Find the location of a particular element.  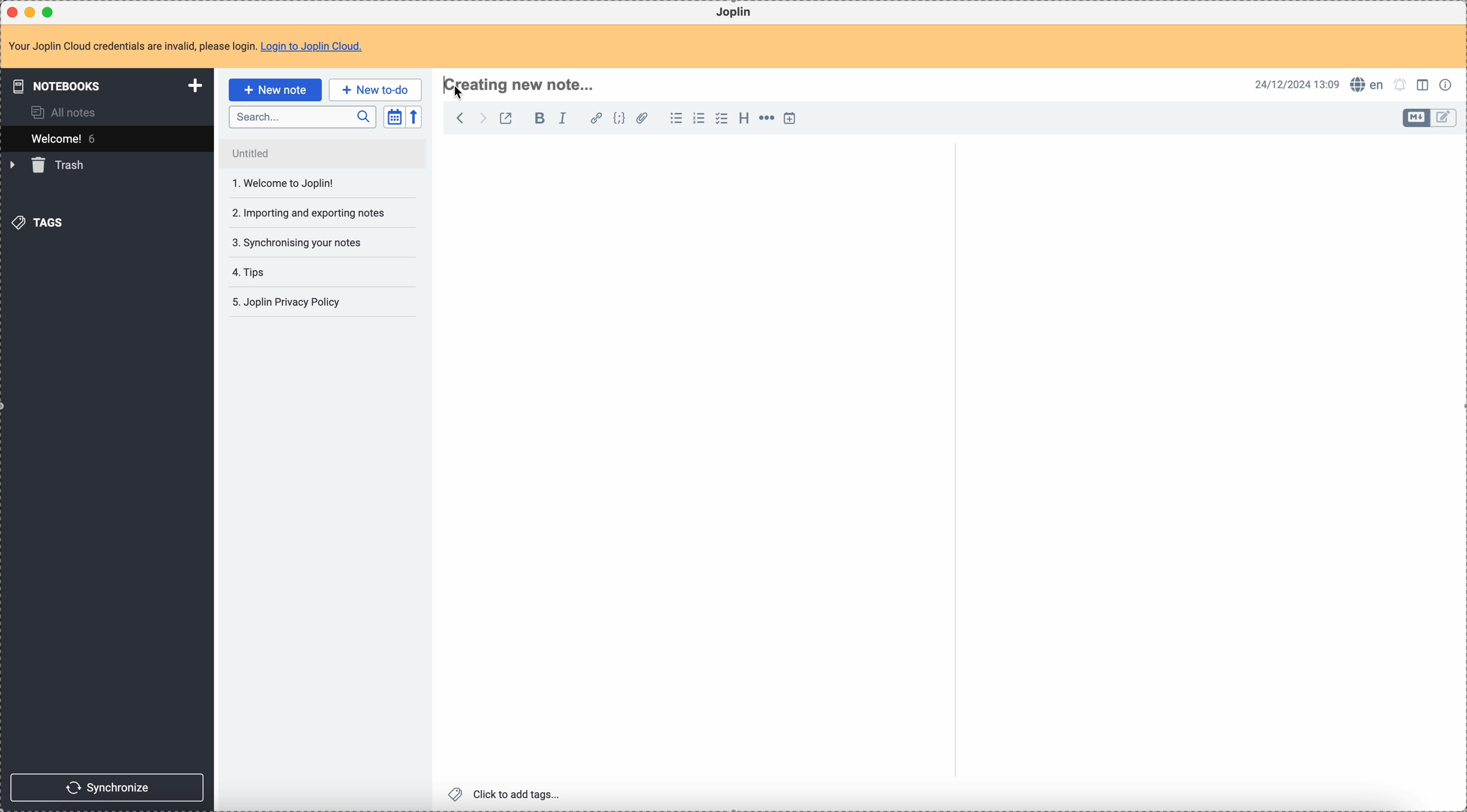

attach file is located at coordinates (640, 119).